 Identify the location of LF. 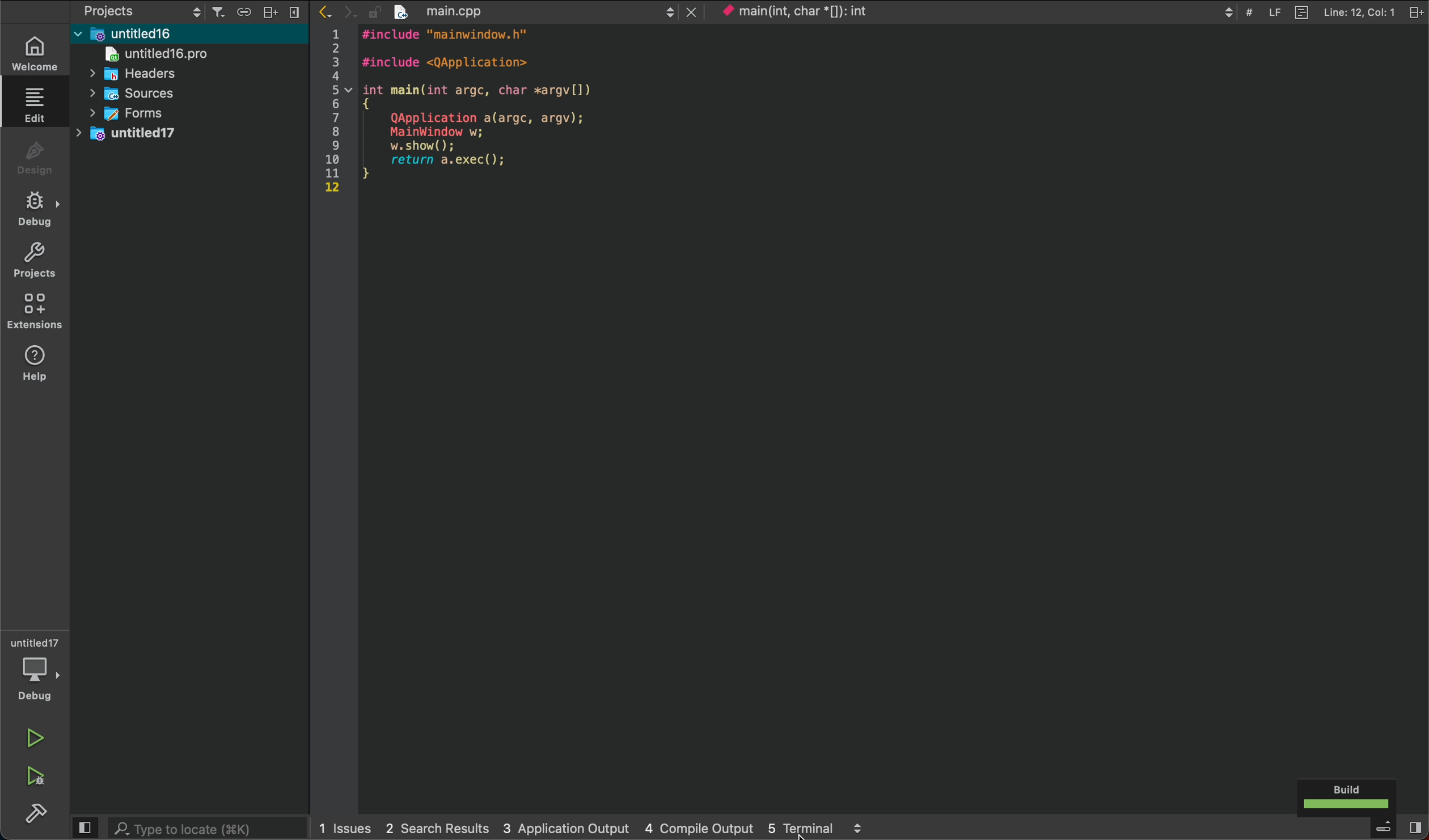
(1277, 12).